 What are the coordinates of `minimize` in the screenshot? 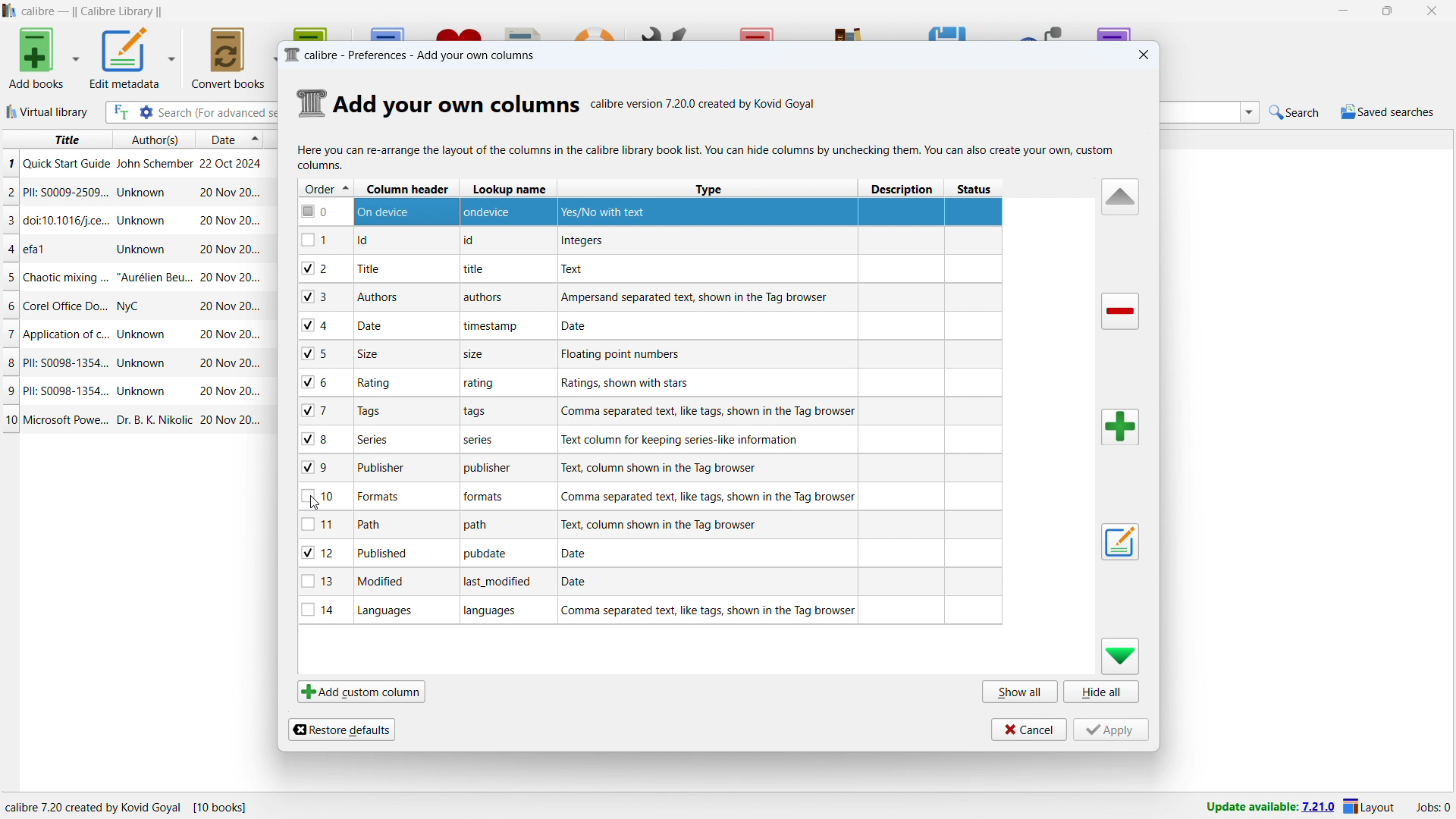 It's located at (1341, 11).